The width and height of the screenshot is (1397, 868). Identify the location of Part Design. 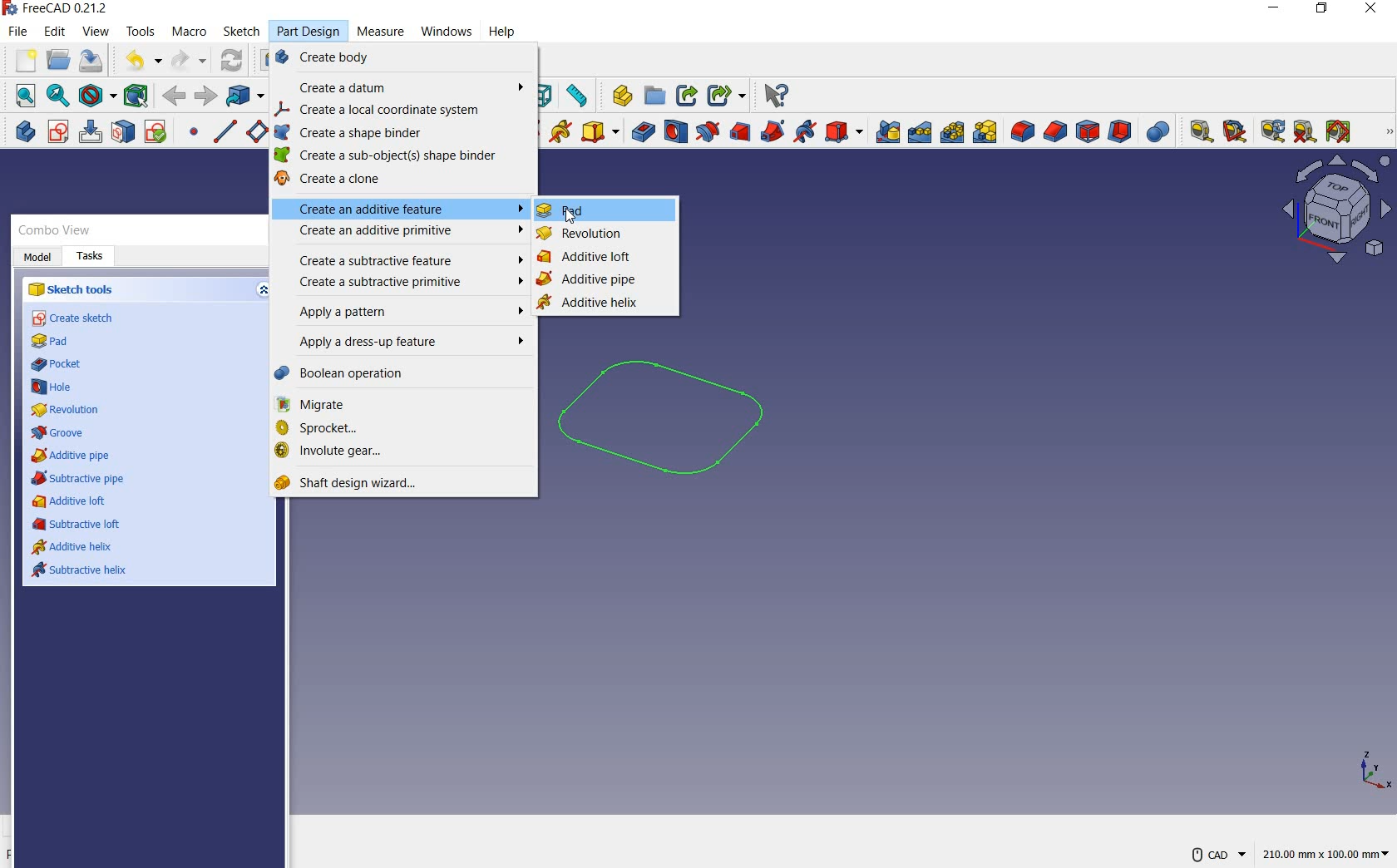
(312, 32).